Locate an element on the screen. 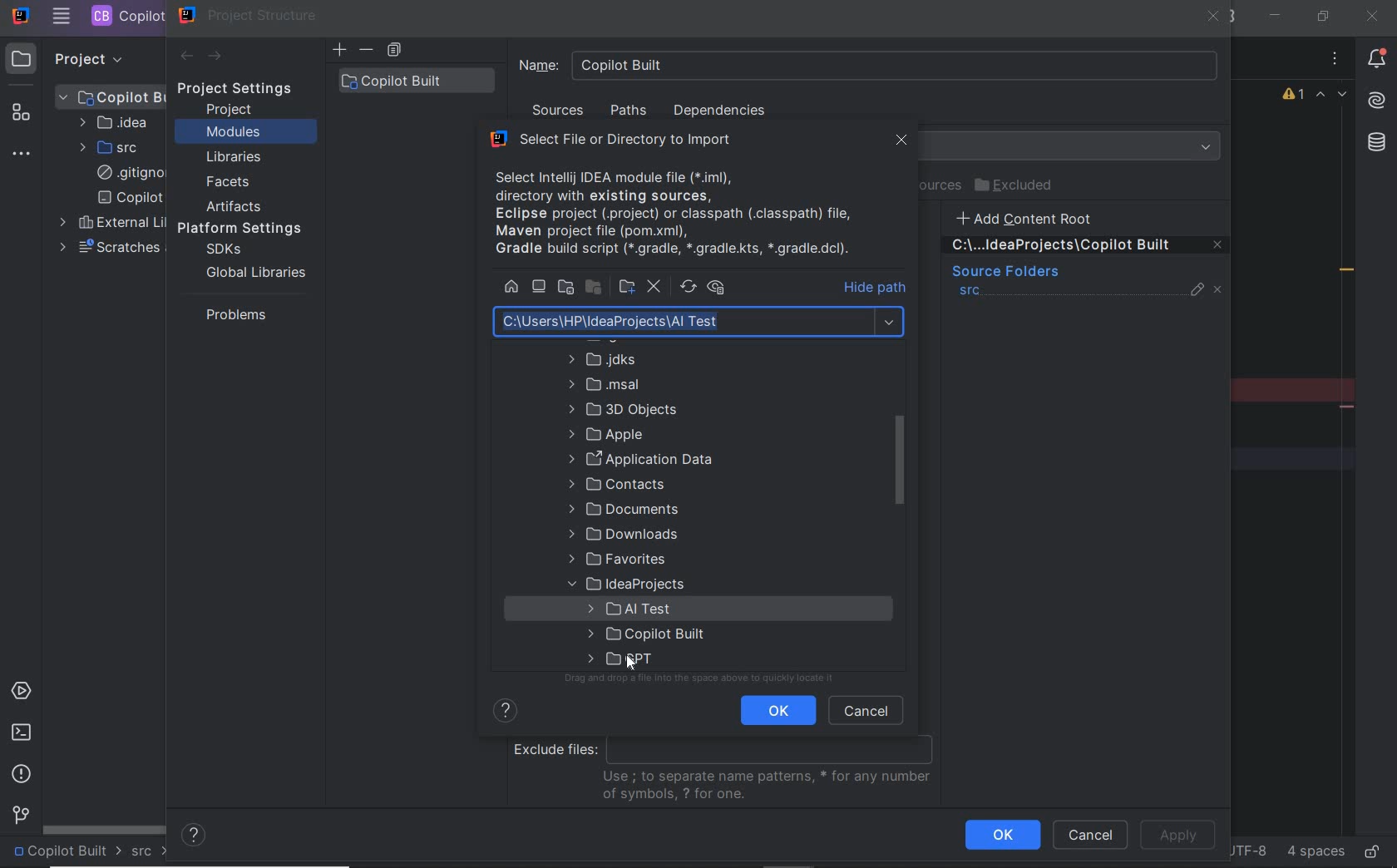 Image resolution: width=1397 pixels, height=868 pixels. Name is located at coordinates (869, 65).